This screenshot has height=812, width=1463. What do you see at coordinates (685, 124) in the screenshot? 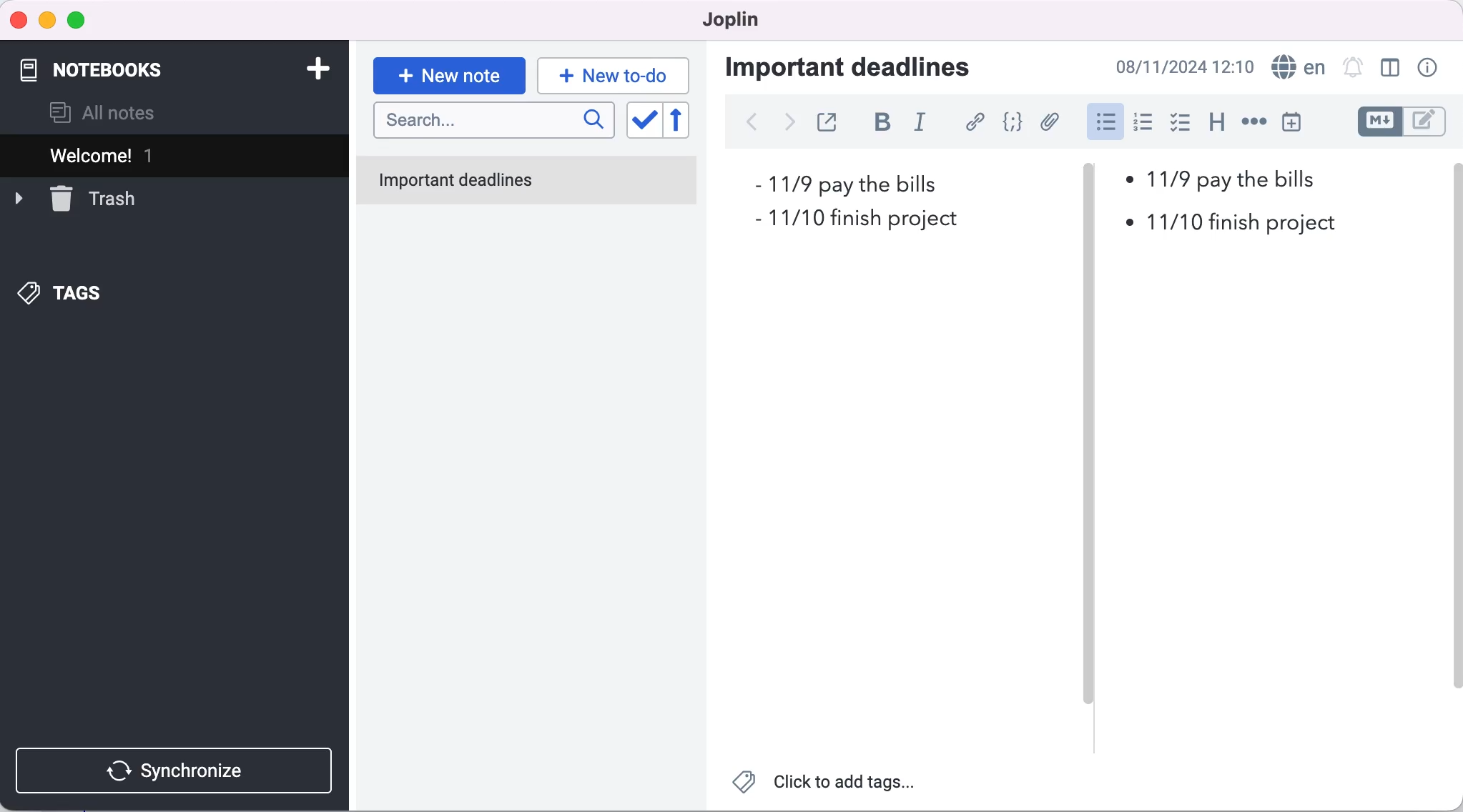
I see `reverse sort order` at bounding box center [685, 124].